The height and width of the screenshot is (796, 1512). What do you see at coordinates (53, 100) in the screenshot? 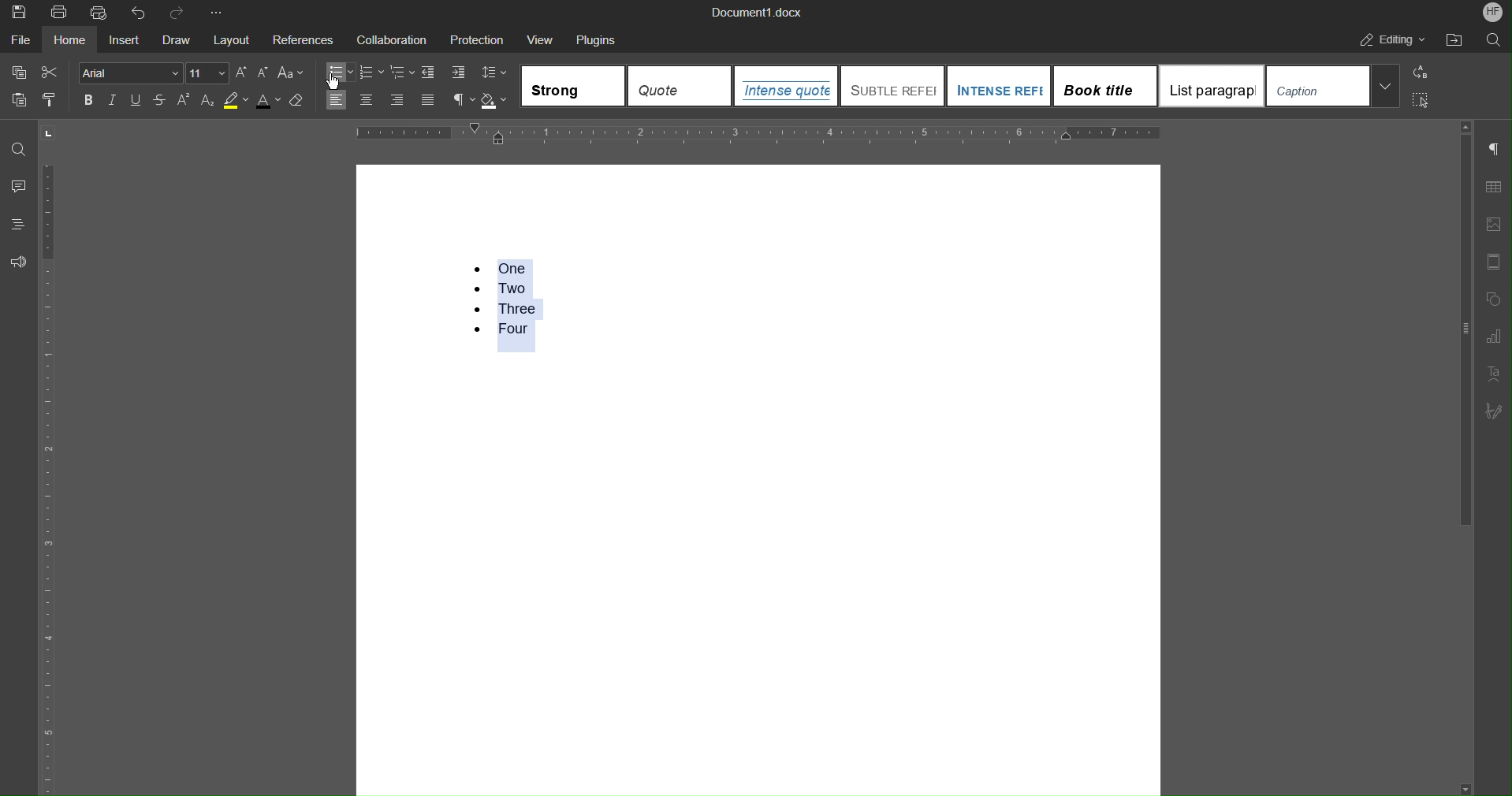
I see `Copy Style` at bounding box center [53, 100].